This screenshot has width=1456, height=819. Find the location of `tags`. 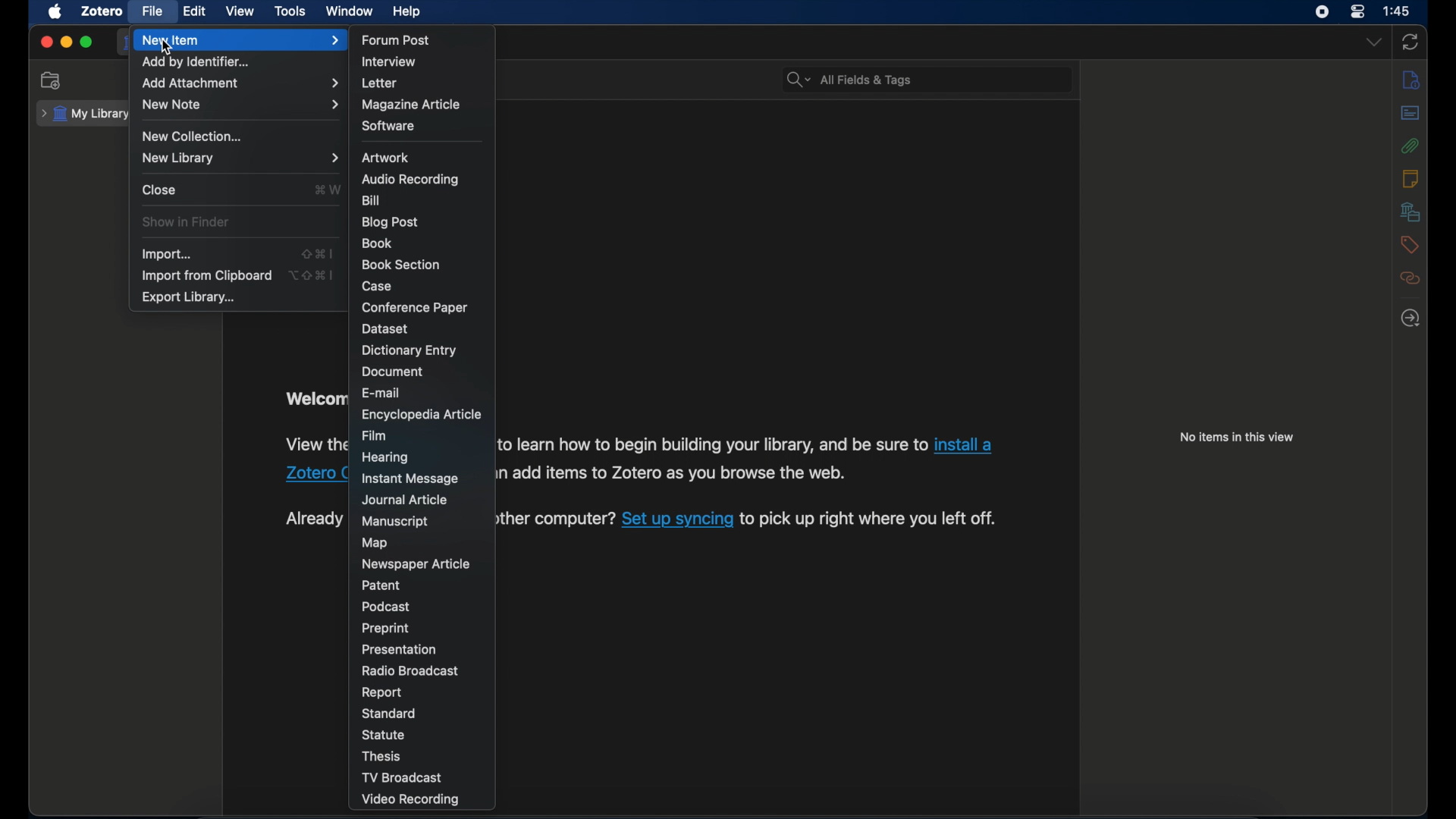

tags is located at coordinates (1410, 245).